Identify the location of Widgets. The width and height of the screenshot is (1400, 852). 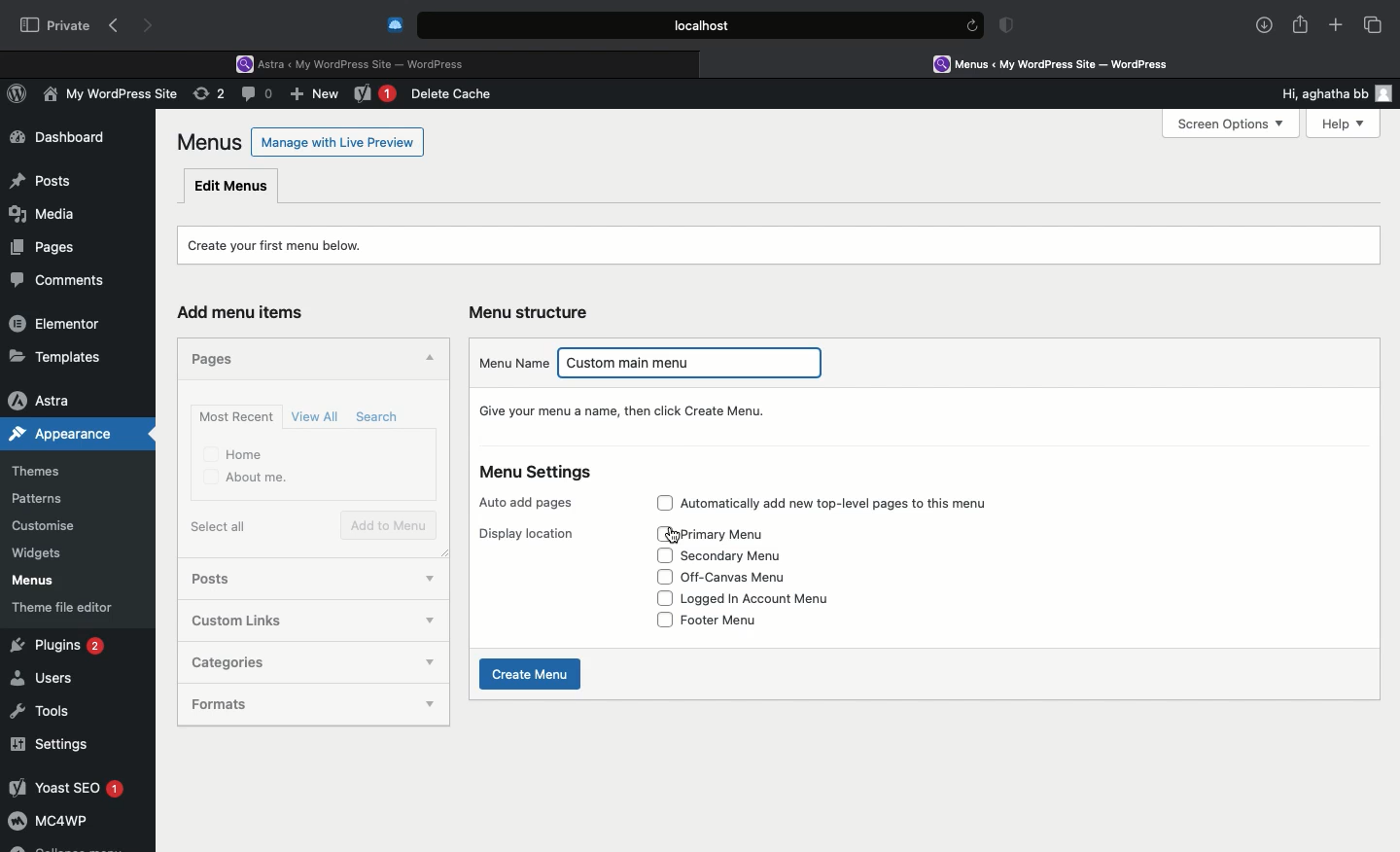
(39, 553).